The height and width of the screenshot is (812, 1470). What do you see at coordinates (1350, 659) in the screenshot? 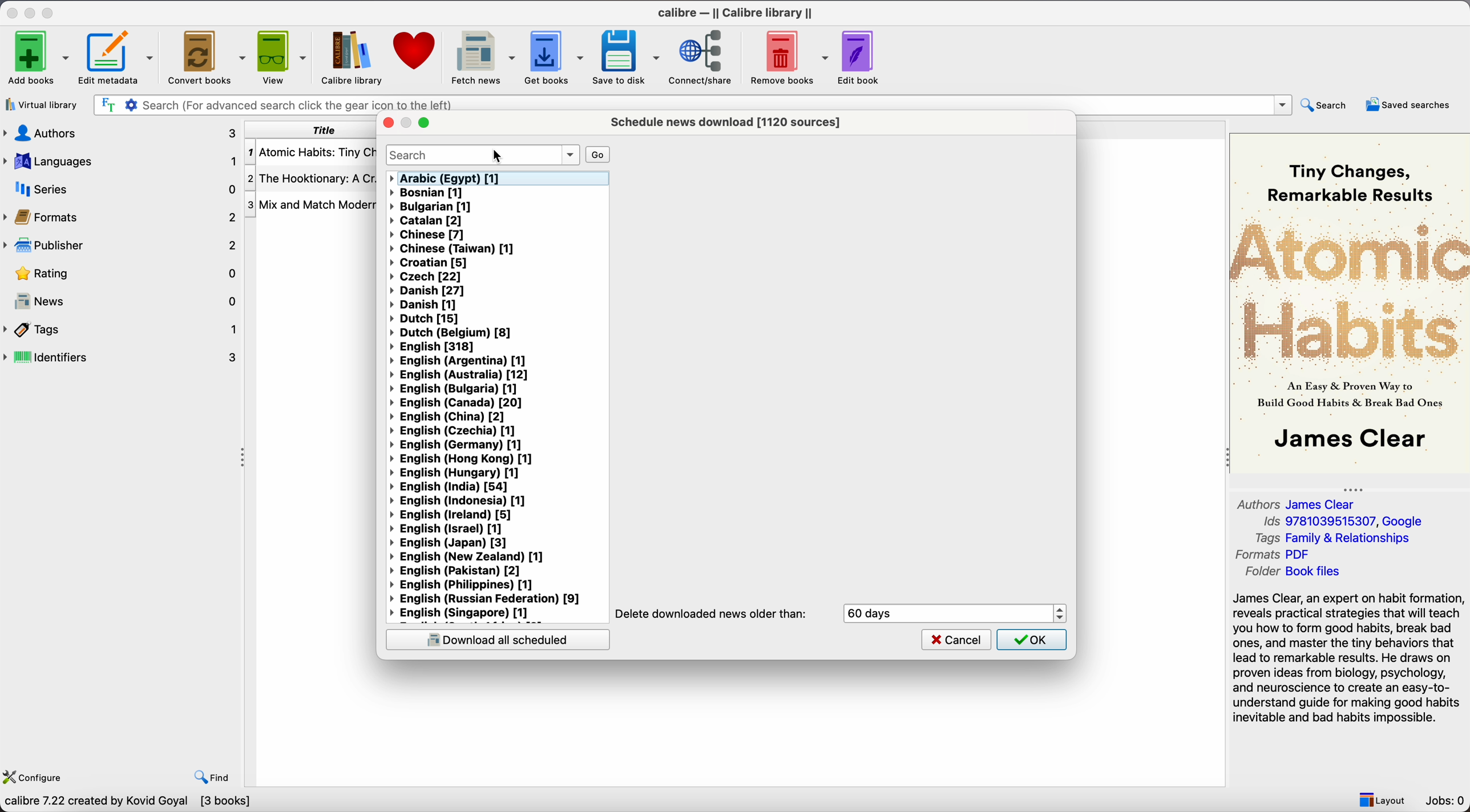
I see `synopsis` at bounding box center [1350, 659].